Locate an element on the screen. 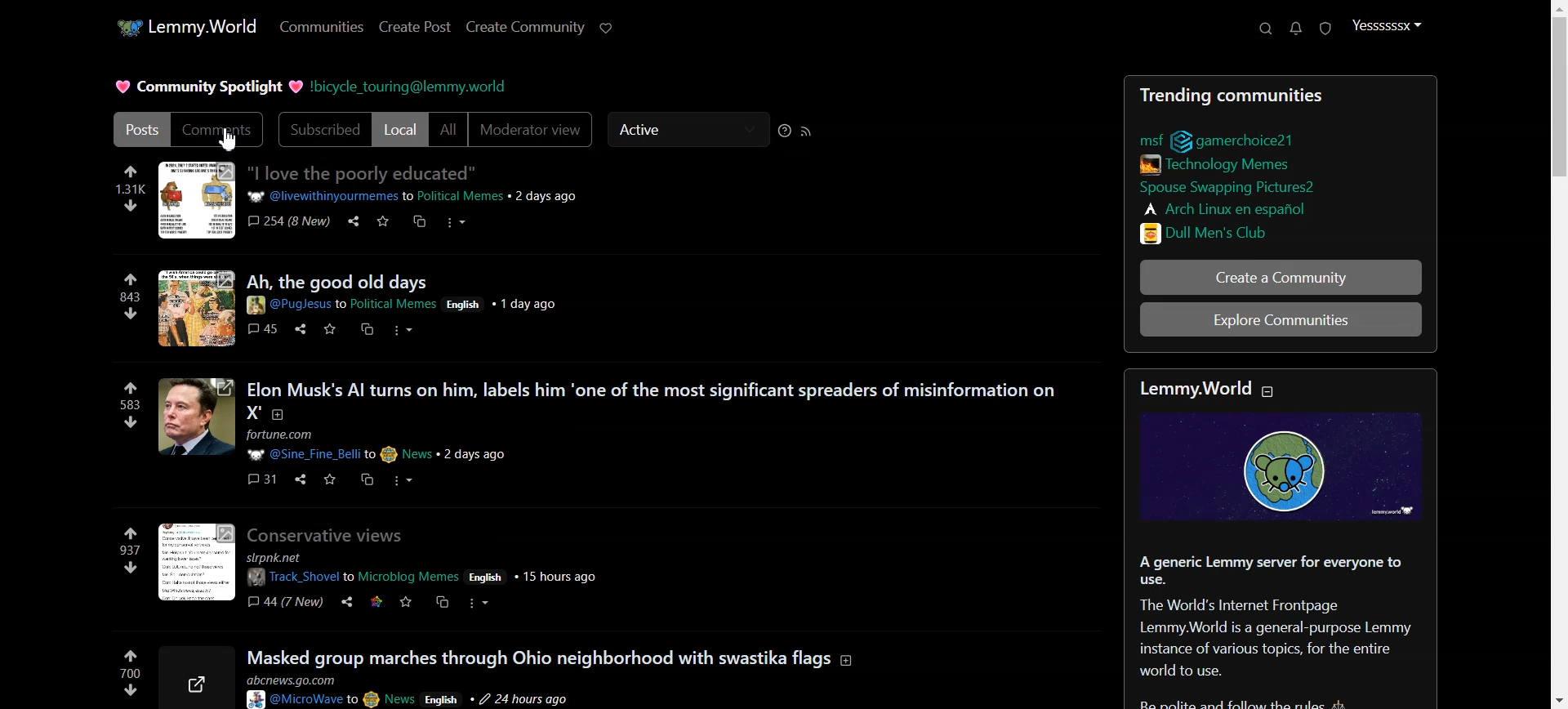 The height and width of the screenshot is (709, 1568). share is located at coordinates (300, 327).